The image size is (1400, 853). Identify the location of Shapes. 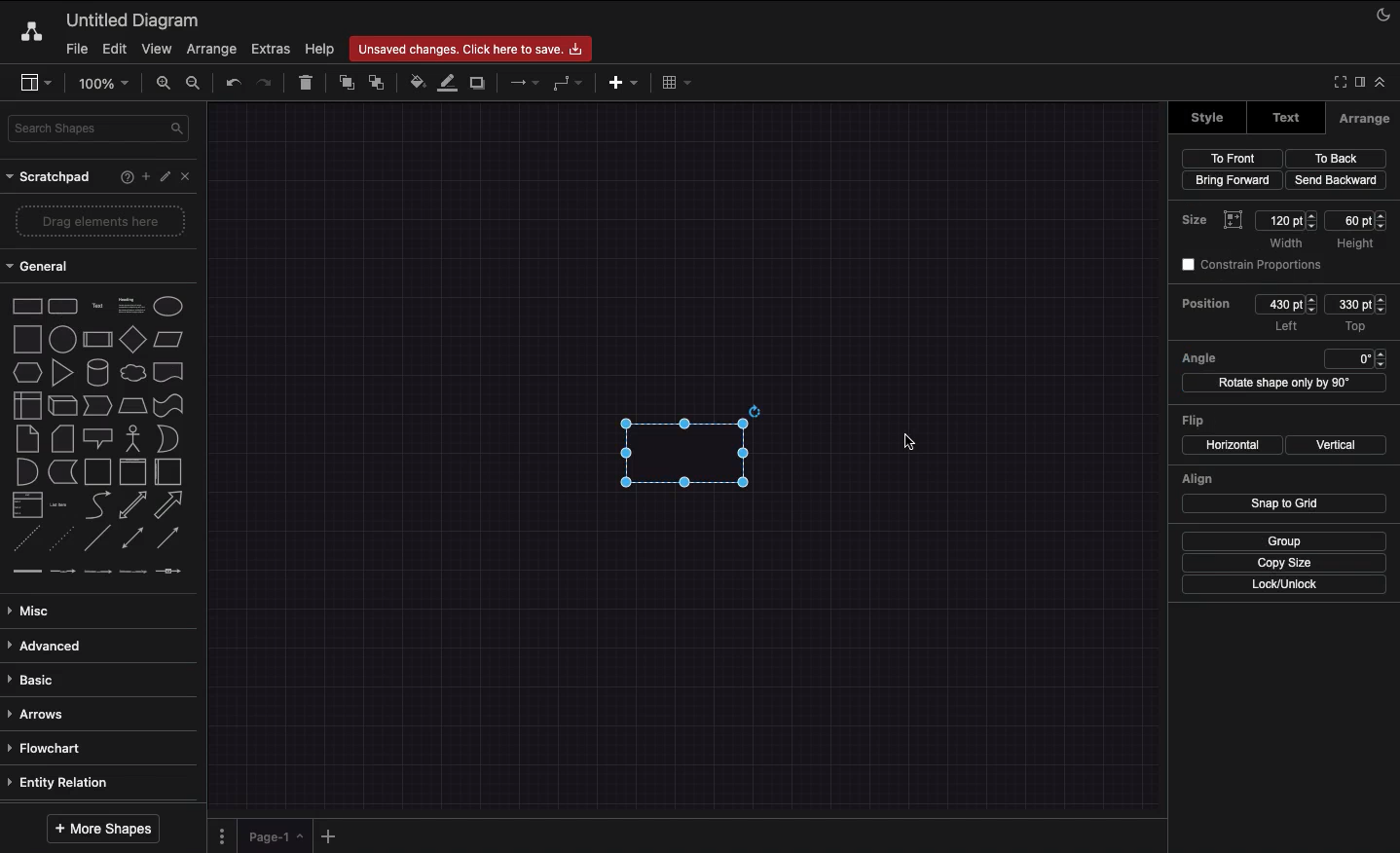
(99, 442).